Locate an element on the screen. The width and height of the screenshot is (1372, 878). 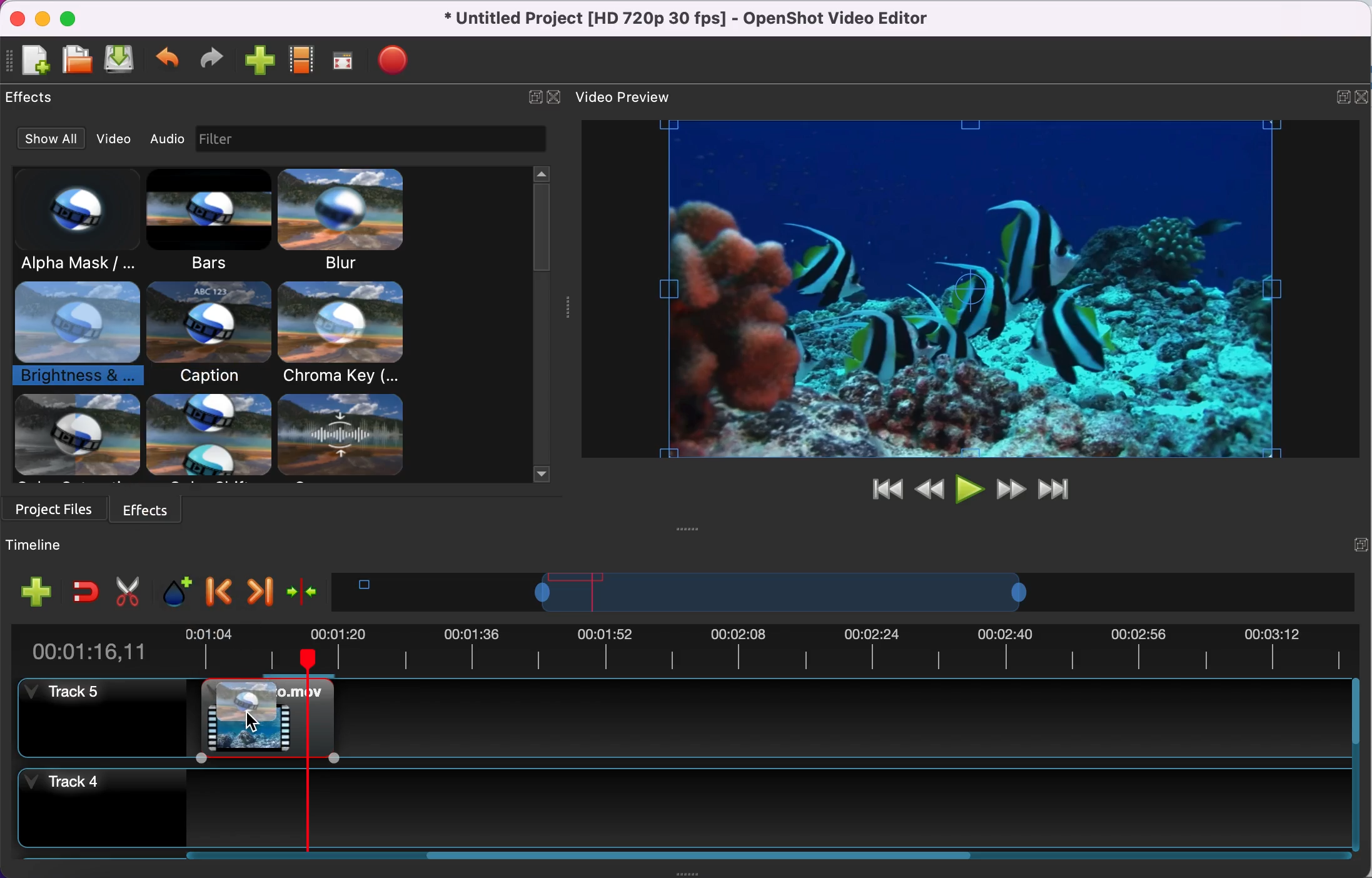
brightness and color is located at coordinates (247, 702).